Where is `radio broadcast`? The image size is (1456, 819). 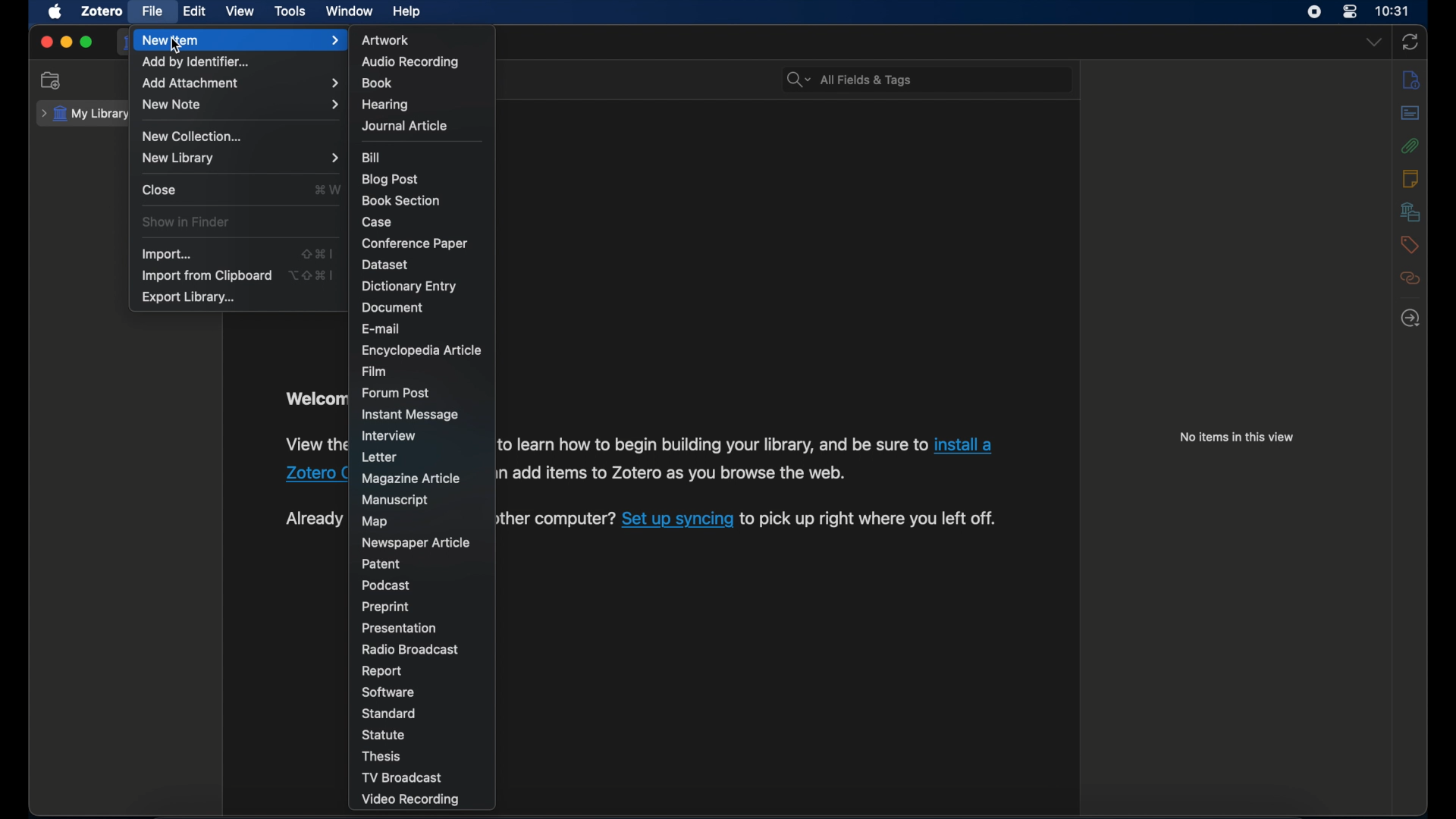
radio broadcast is located at coordinates (410, 649).